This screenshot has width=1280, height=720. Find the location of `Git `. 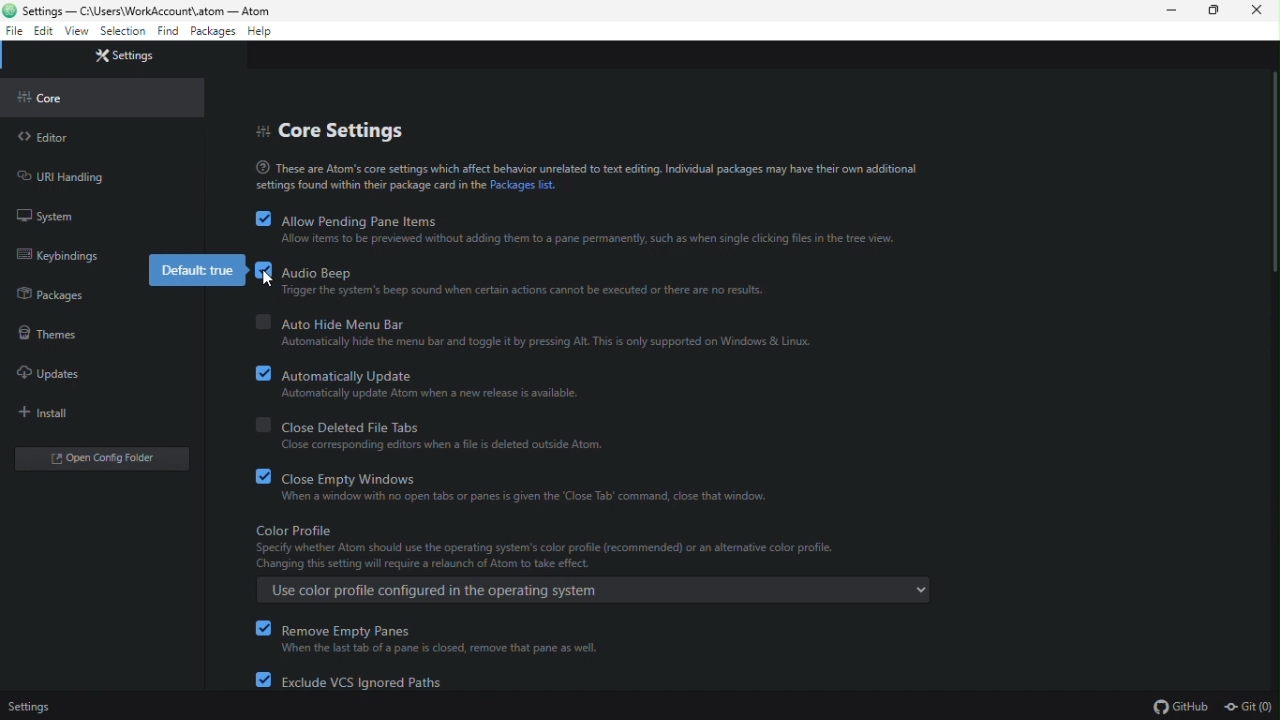

Git  is located at coordinates (1246, 703).